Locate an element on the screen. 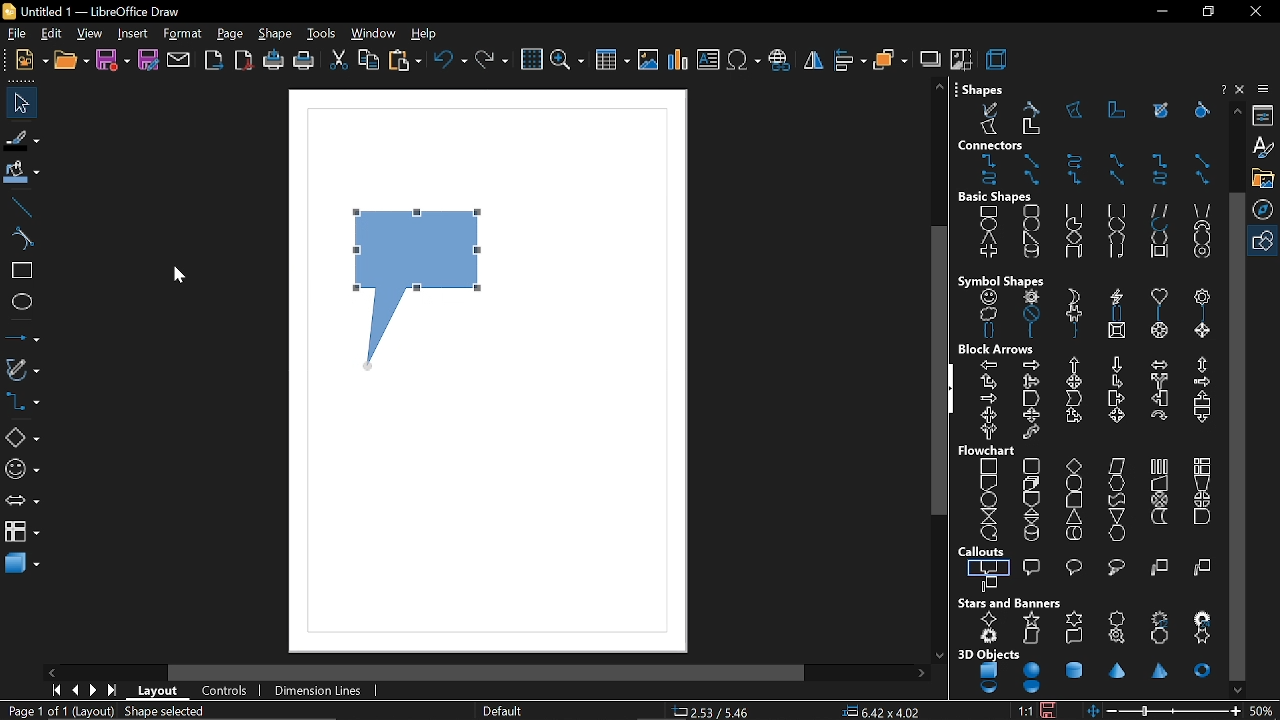 This screenshot has width=1280, height=720. grid is located at coordinates (530, 61).